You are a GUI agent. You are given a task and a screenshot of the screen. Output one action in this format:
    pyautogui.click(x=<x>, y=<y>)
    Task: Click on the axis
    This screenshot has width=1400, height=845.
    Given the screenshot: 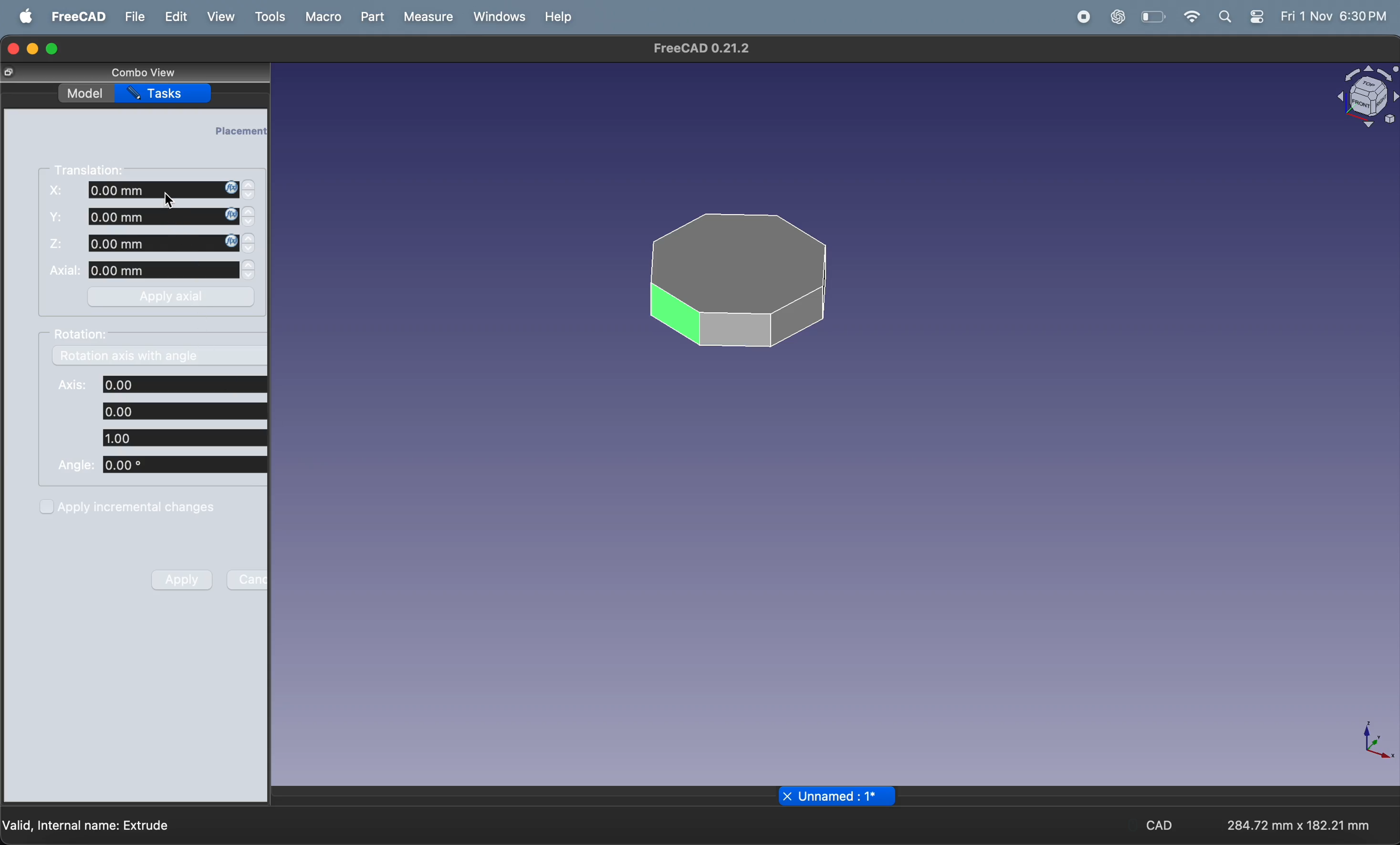 What is the action you would take?
    pyautogui.click(x=1380, y=743)
    